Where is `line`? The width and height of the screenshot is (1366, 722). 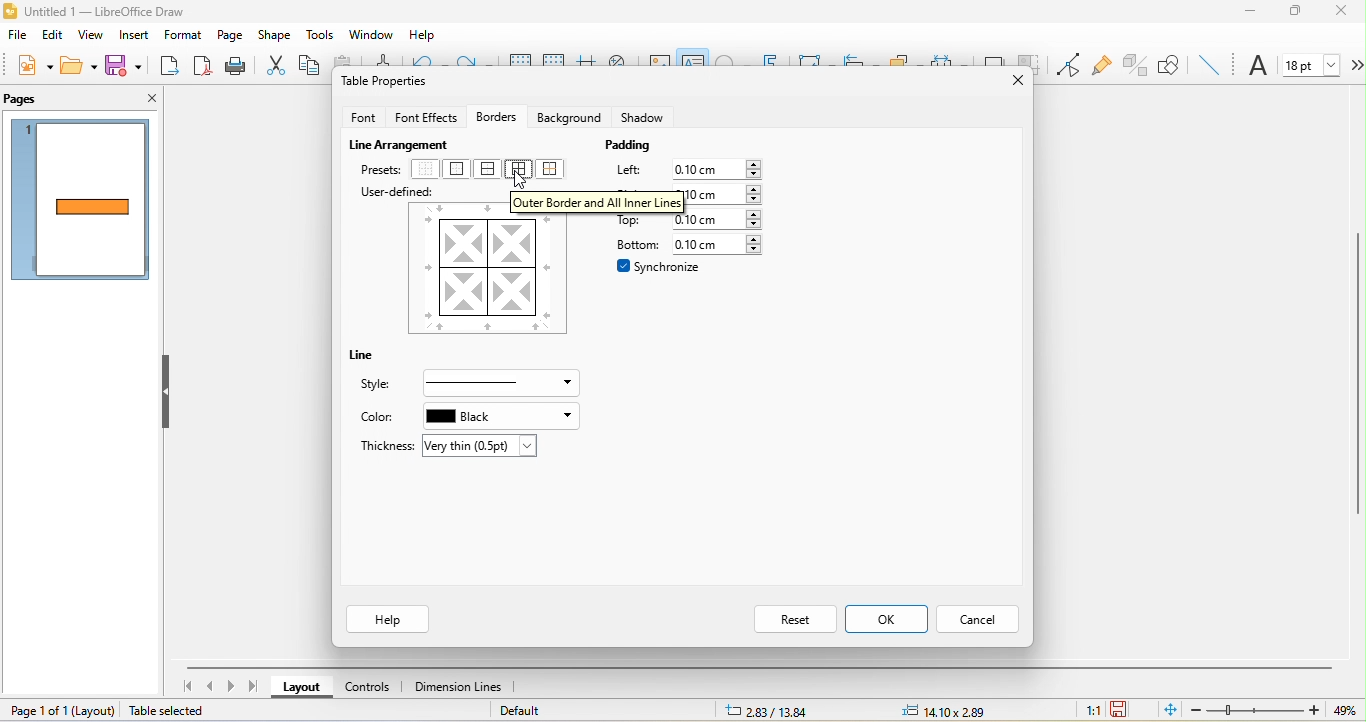
line is located at coordinates (368, 357).